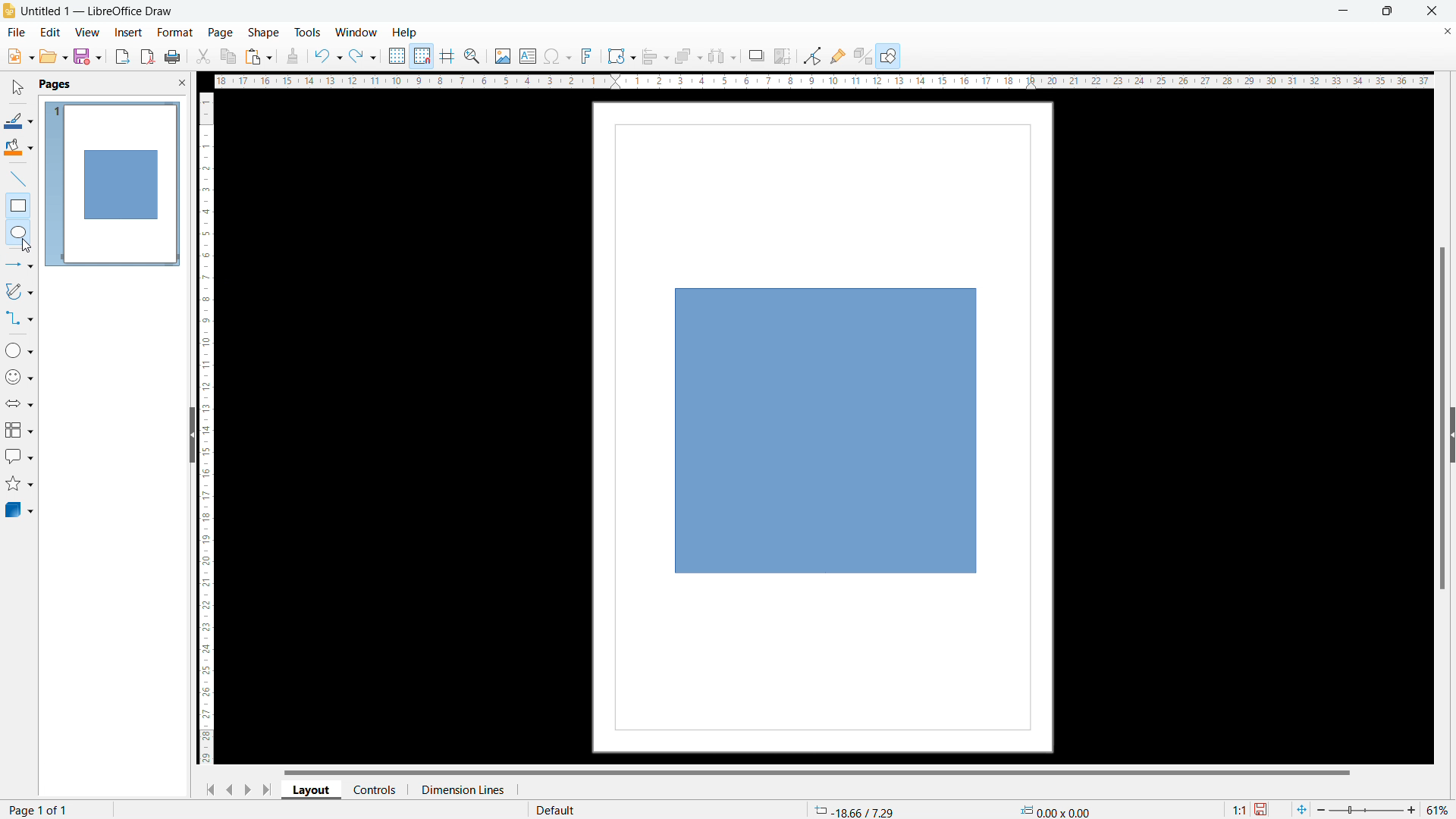 The width and height of the screenshot is (1456, 819). I want to click on vertical scrollbar, so click(1443, 420).